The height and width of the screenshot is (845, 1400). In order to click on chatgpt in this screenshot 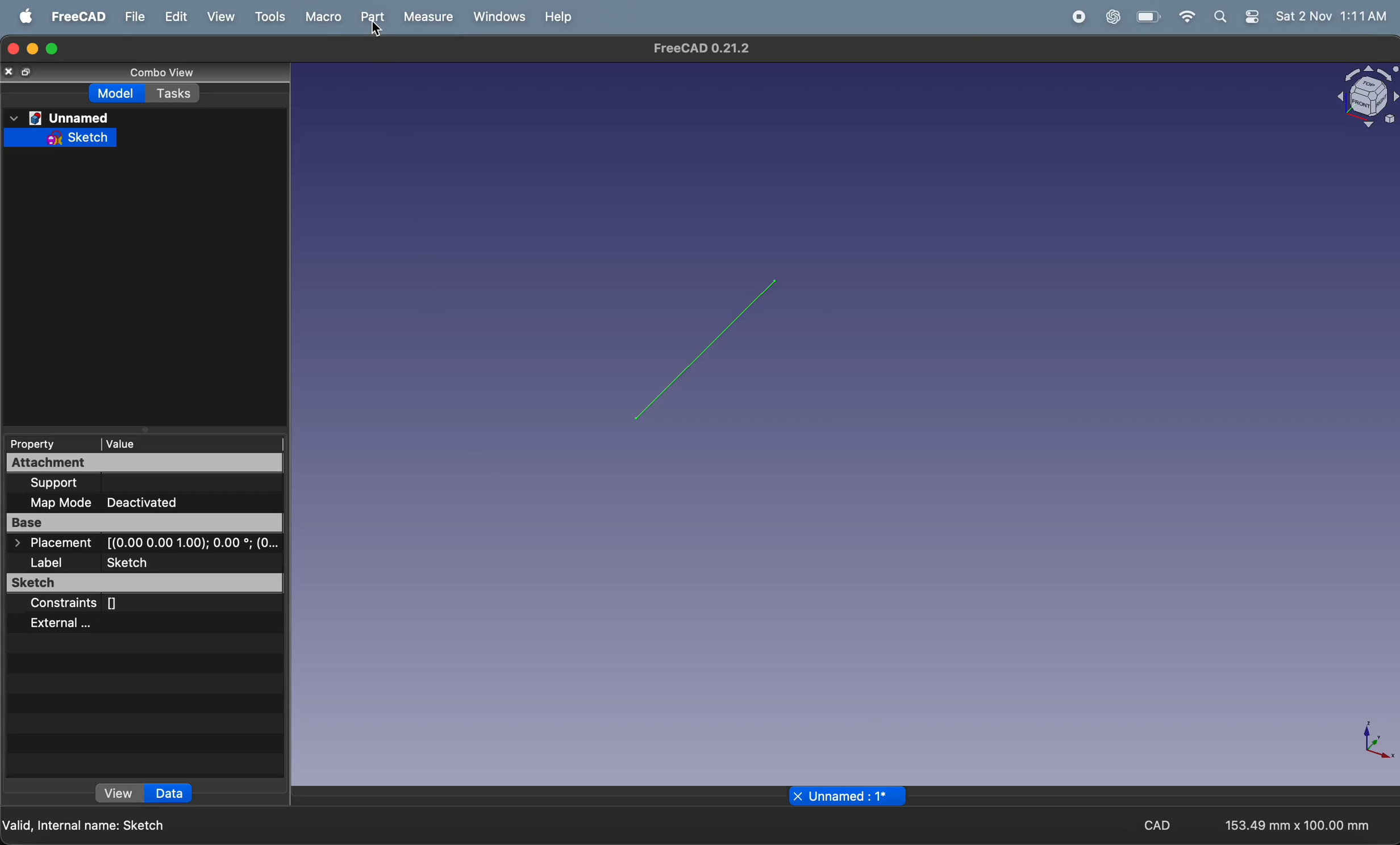, I will do `click(1112, 17)`.